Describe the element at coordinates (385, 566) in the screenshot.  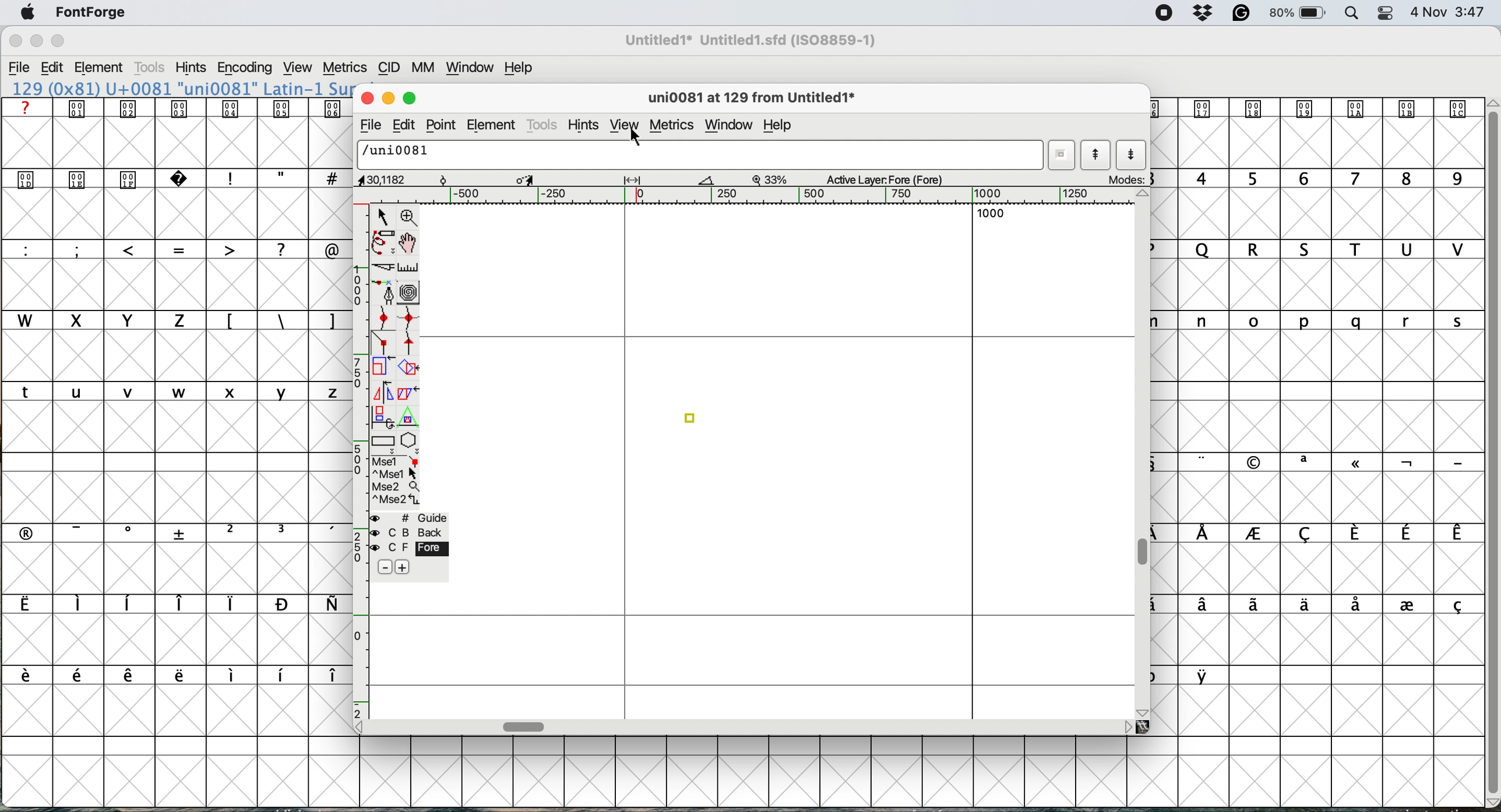
I see `Minus` at that location.